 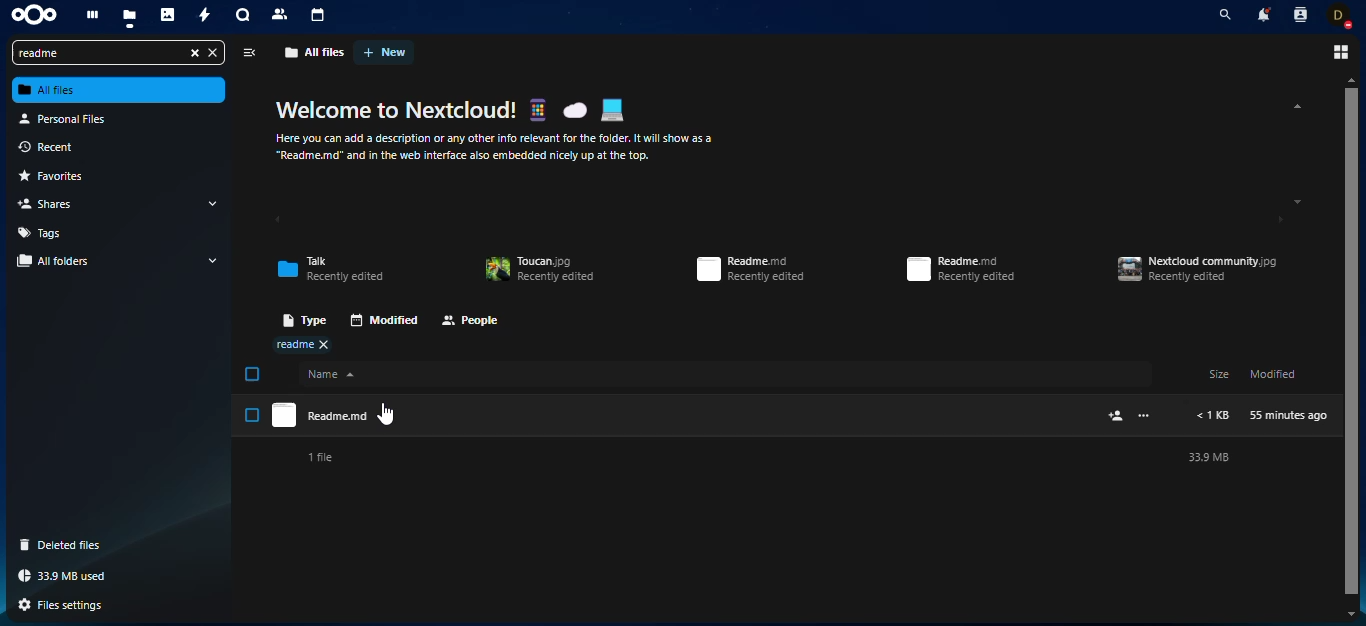 I want to click on scroll bar, so click(x=1351, y=342).